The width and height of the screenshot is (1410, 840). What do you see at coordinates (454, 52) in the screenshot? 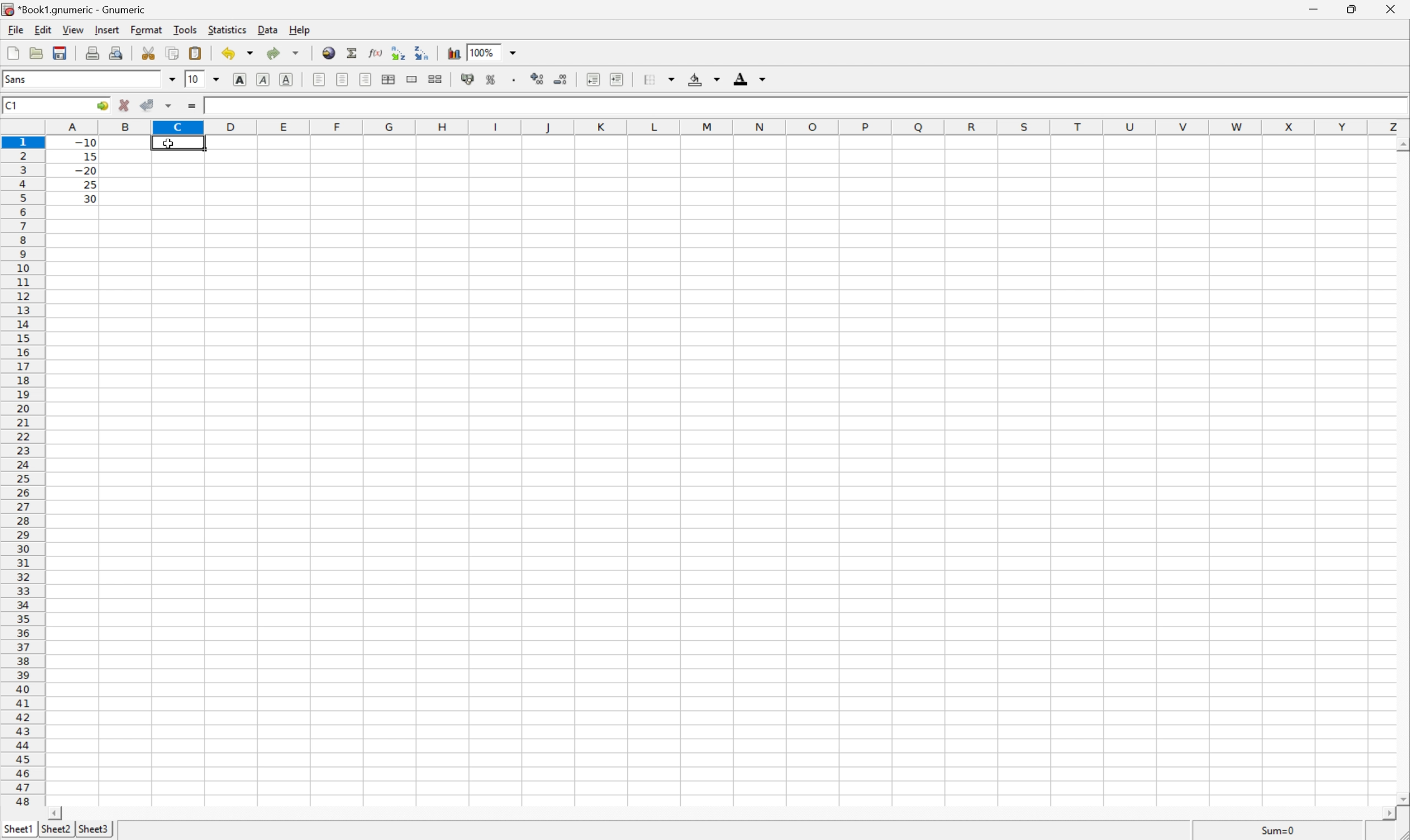
I see `Insert chart` at bounding box center [454, 52].